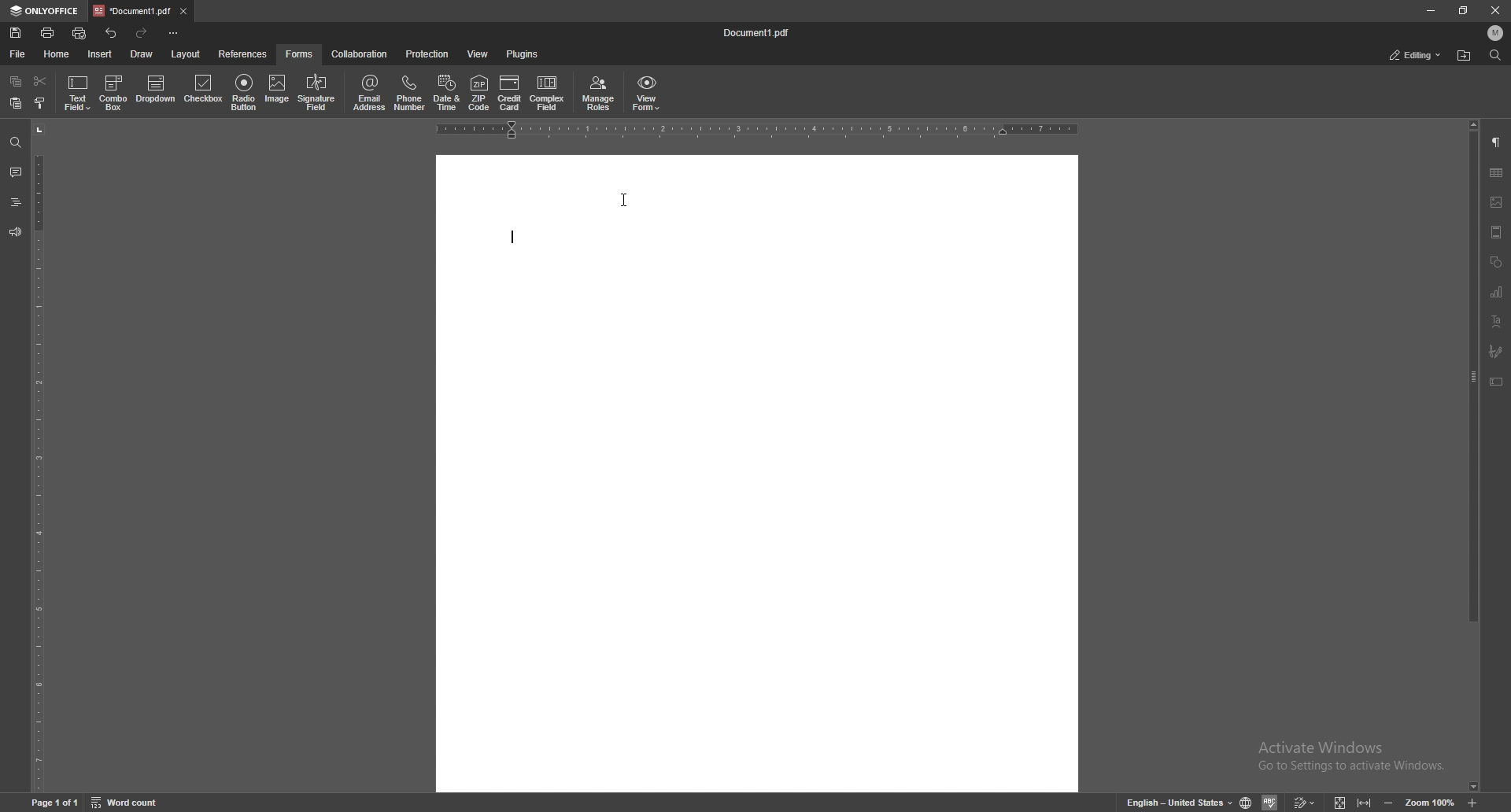 Image resolution: width=1511 pixels, height=812 pixels. What do you see at coordinates (763, 33) in the screenshot?
I see `document` at bounding box center [763, 33].